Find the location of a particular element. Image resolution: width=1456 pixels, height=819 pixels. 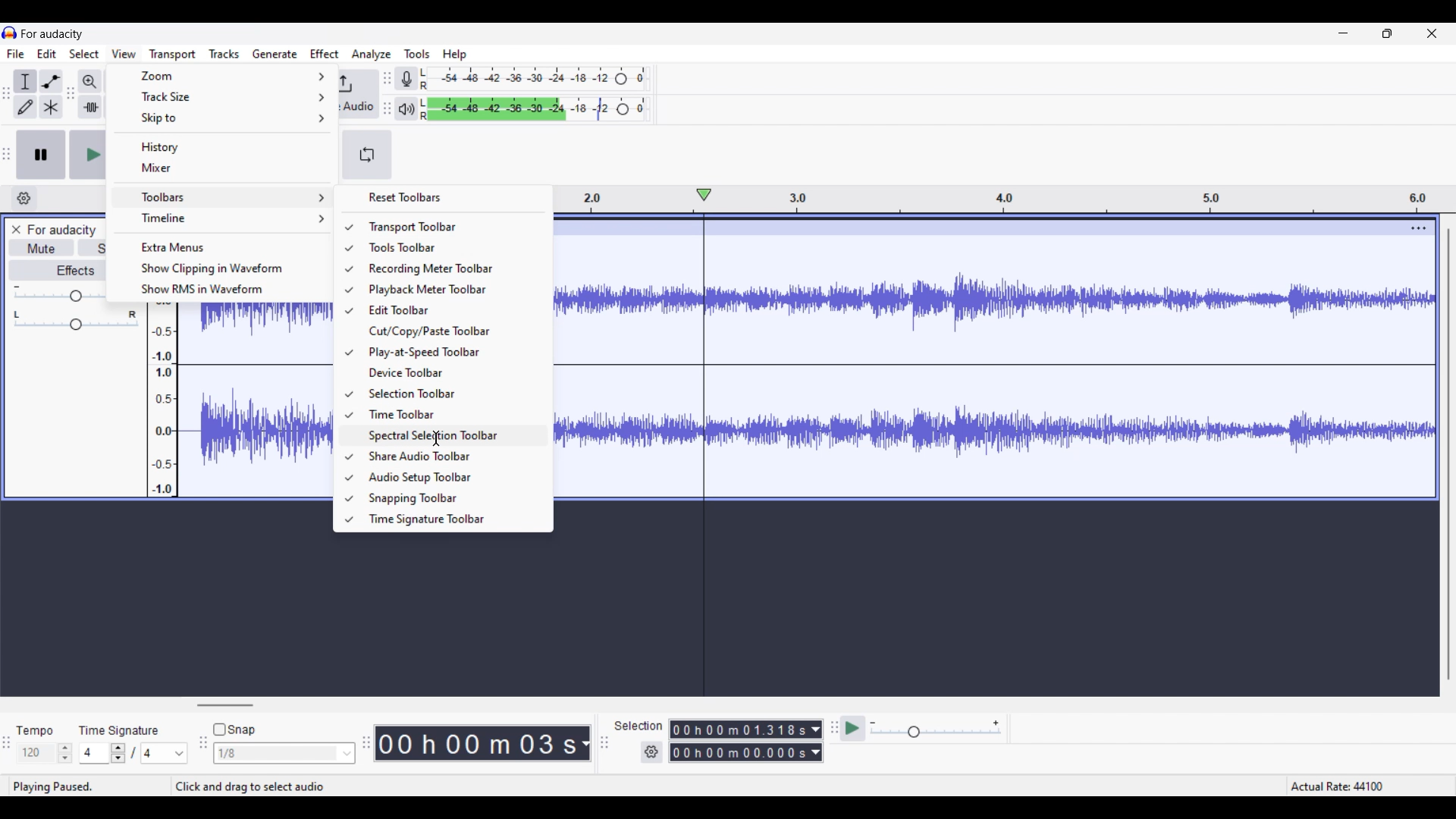

Timeline settings is located at coordinates (24, 199).